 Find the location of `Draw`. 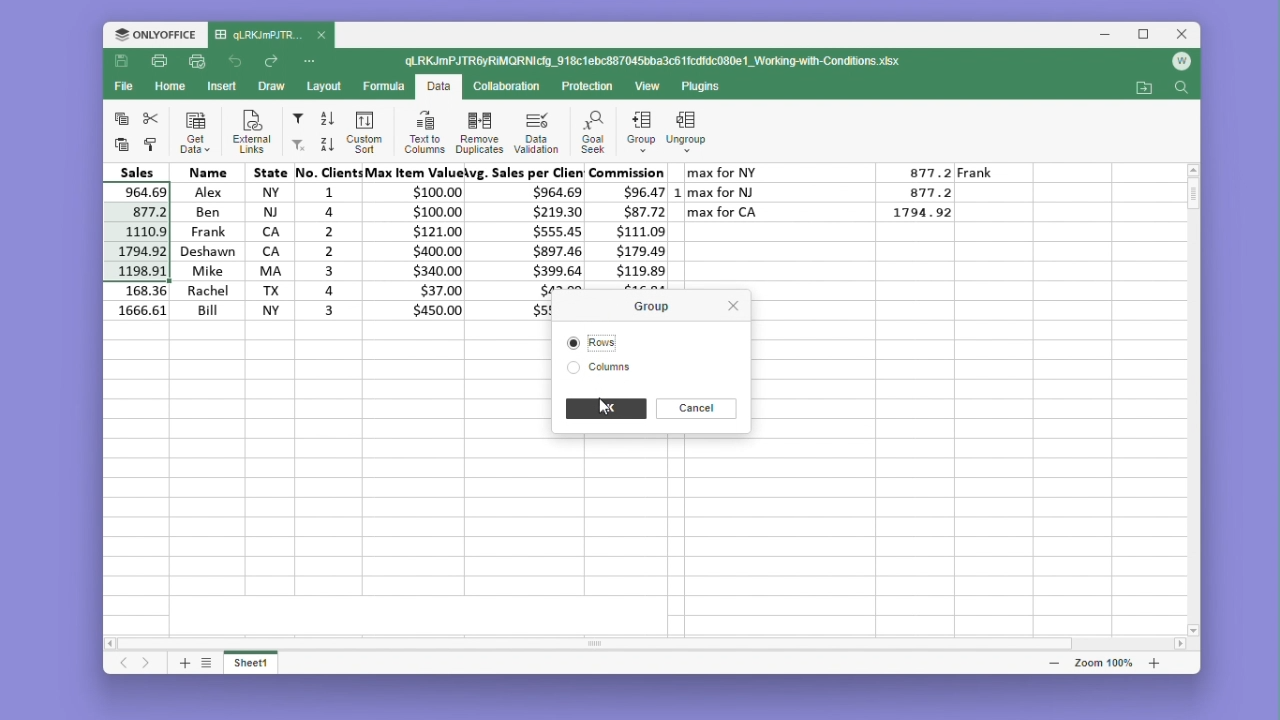

Draw is located at coordinates (270, 87).